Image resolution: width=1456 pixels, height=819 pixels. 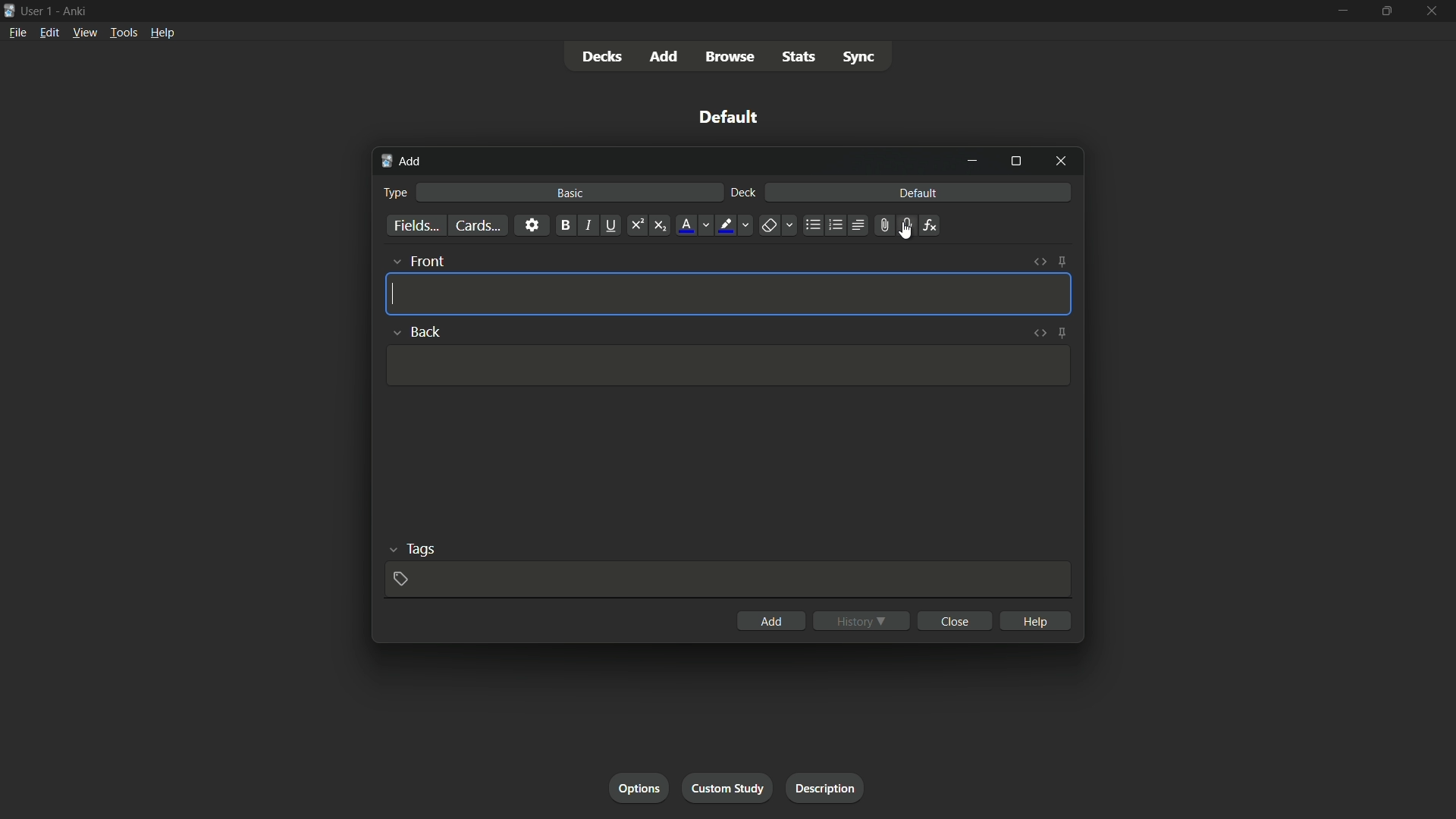 What do you see at coordinates (638, 789) in the screenshot?
I see `options` at bounding box center [638, 789].